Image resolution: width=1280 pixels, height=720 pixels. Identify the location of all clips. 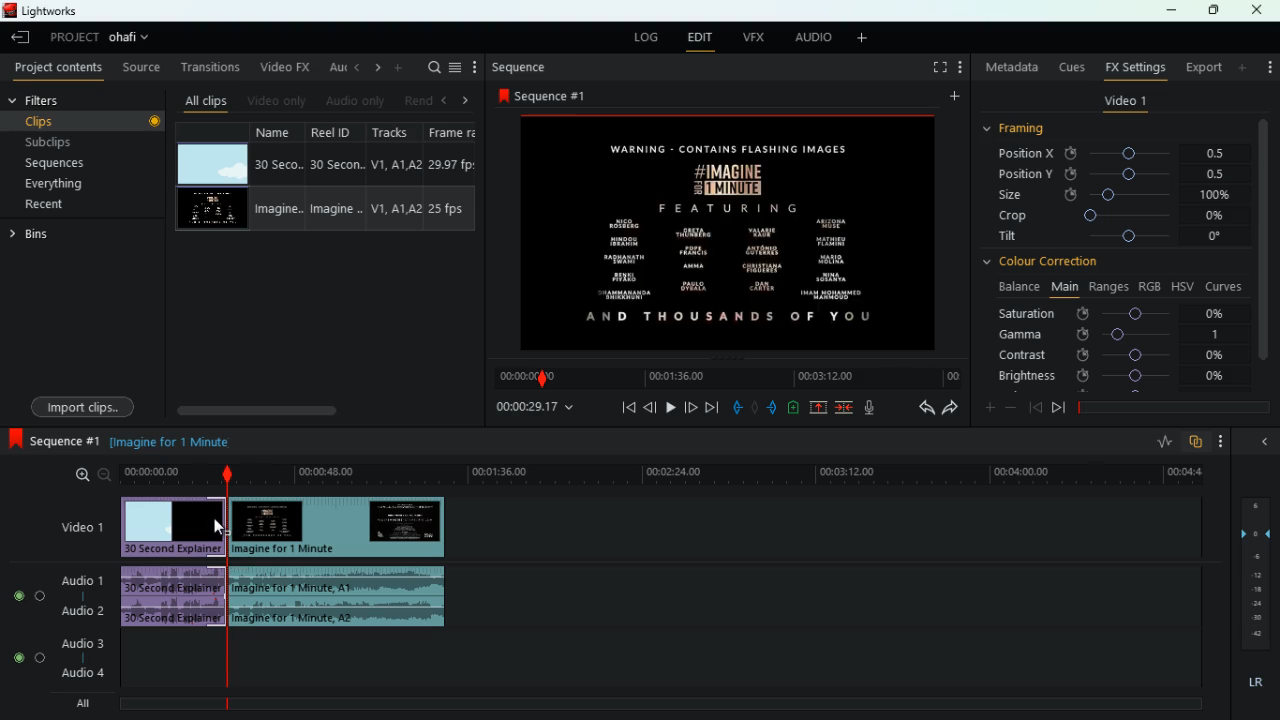
(206, 100).